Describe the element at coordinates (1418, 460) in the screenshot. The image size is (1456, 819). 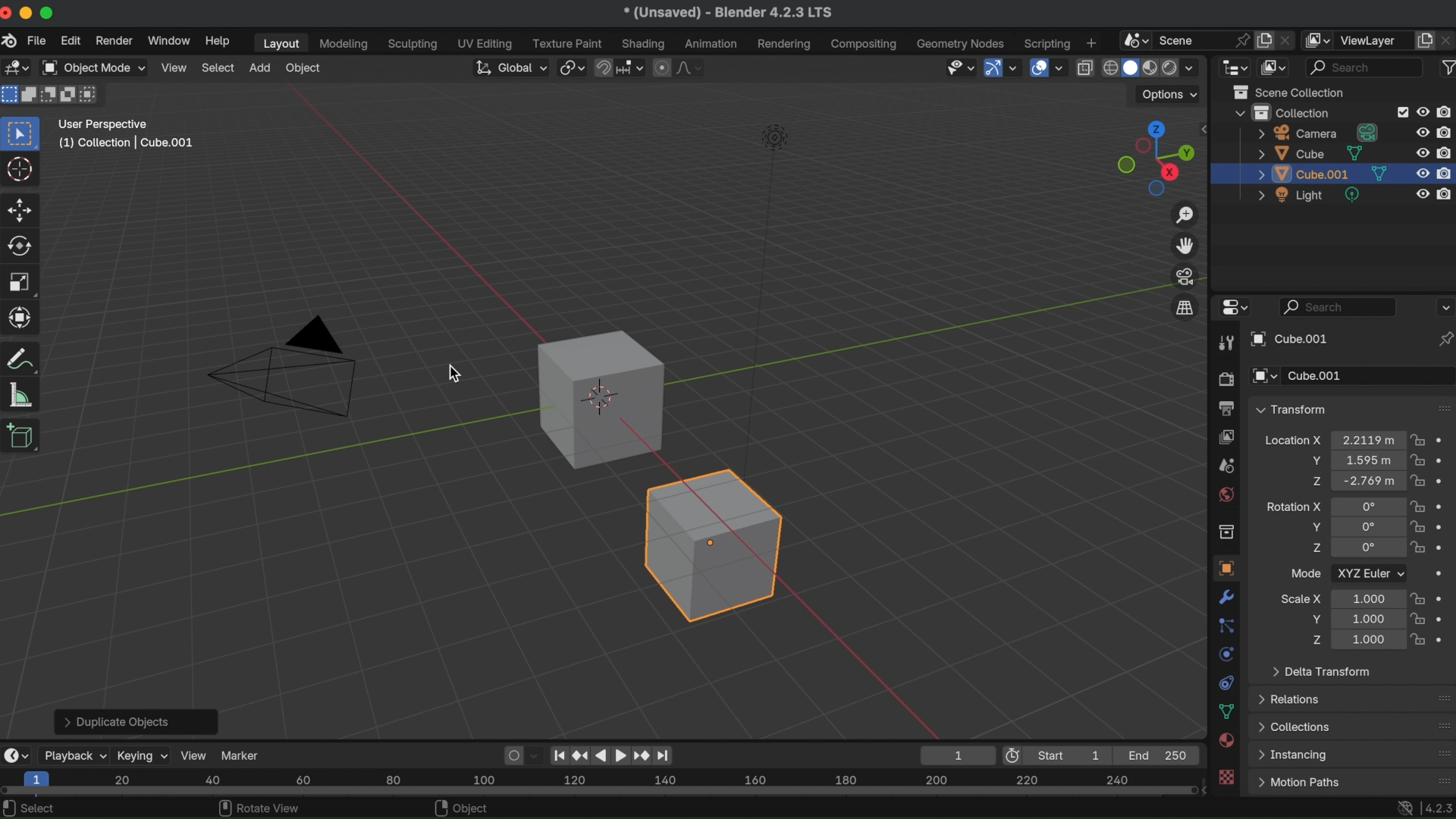
I see `lock location` at that location.